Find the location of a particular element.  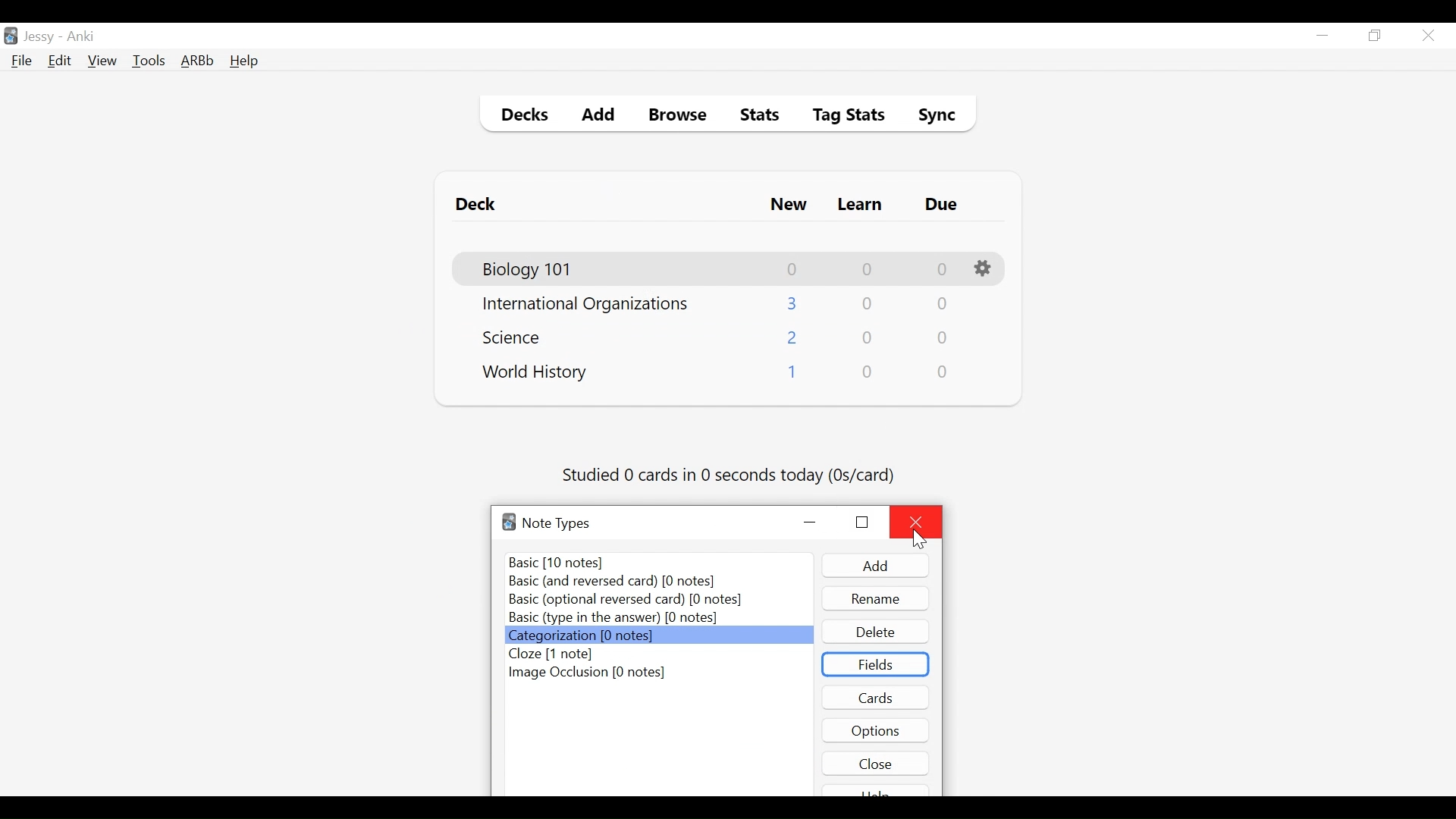

File is located at coordinates (22, 62).